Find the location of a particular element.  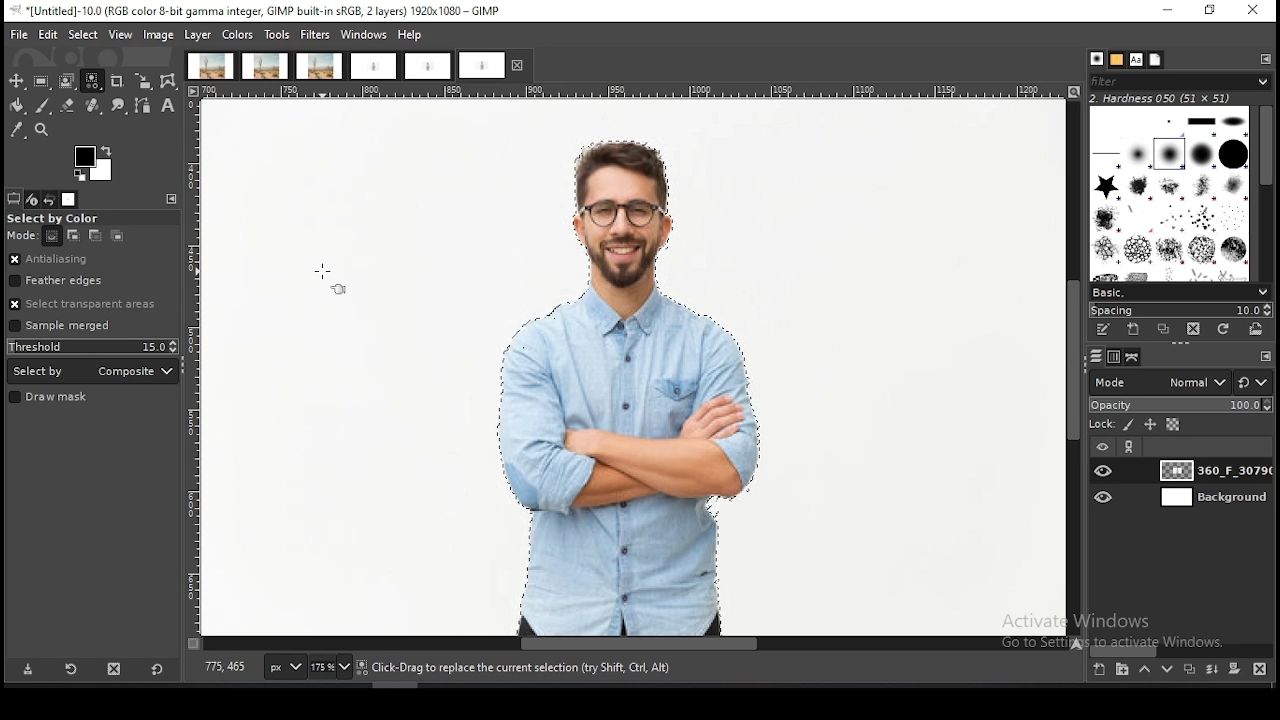

colors is located at coordinates (237, 35).